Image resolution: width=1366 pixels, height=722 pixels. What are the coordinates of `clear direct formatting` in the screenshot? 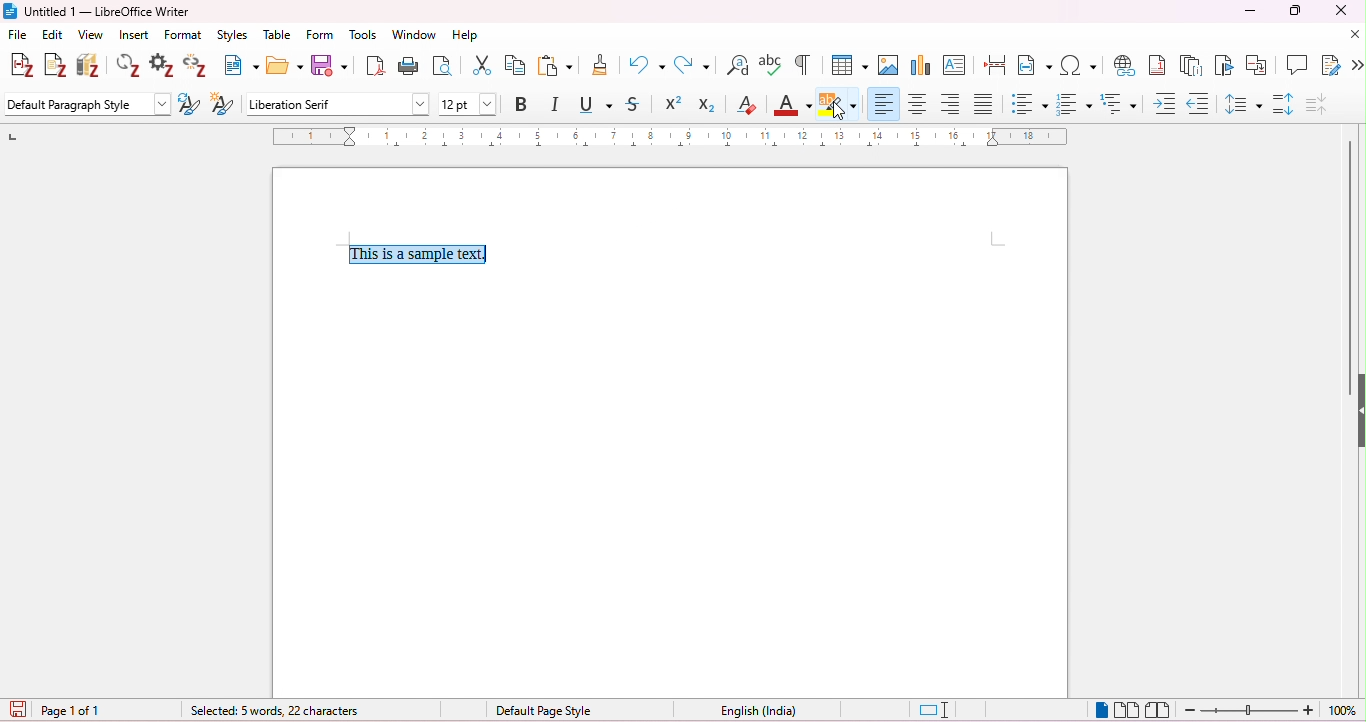 It's located at (747, 104).